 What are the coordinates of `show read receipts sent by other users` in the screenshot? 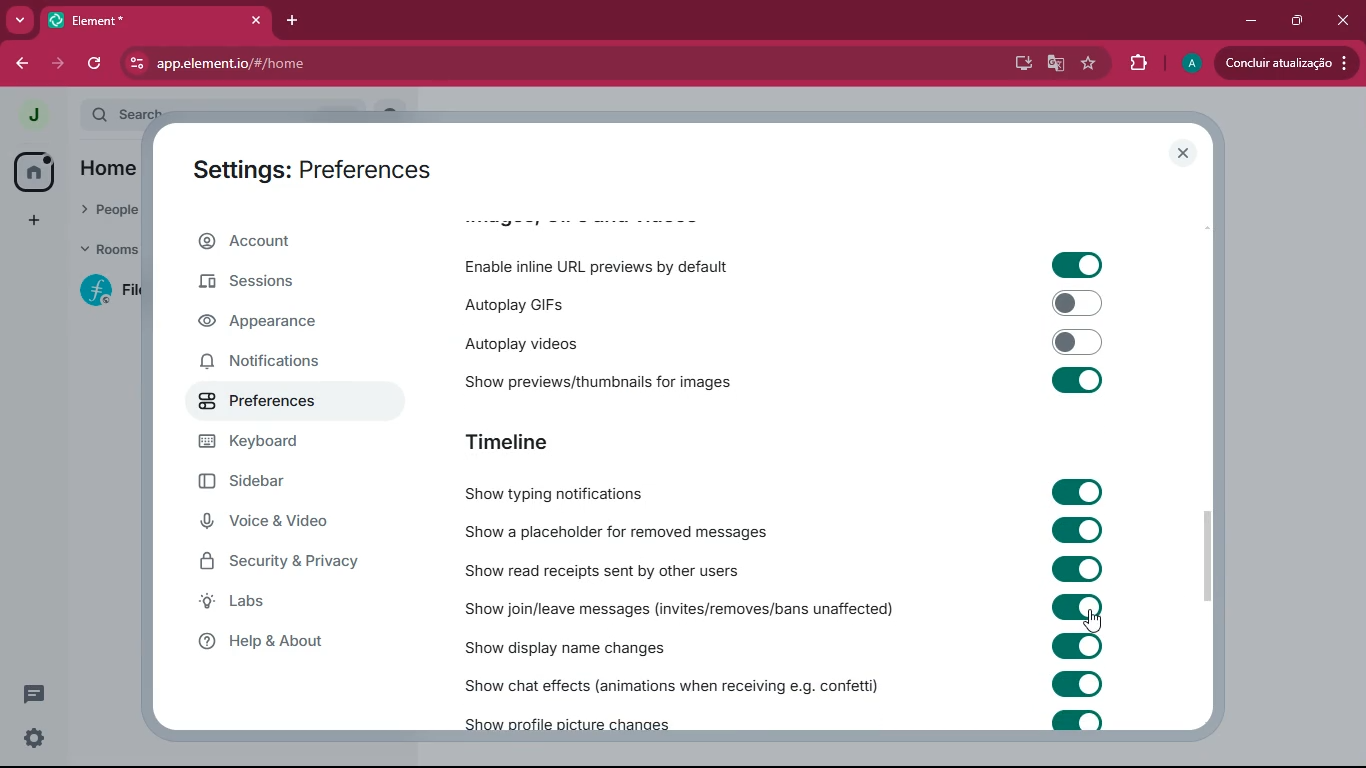 It's located at (616, 568).